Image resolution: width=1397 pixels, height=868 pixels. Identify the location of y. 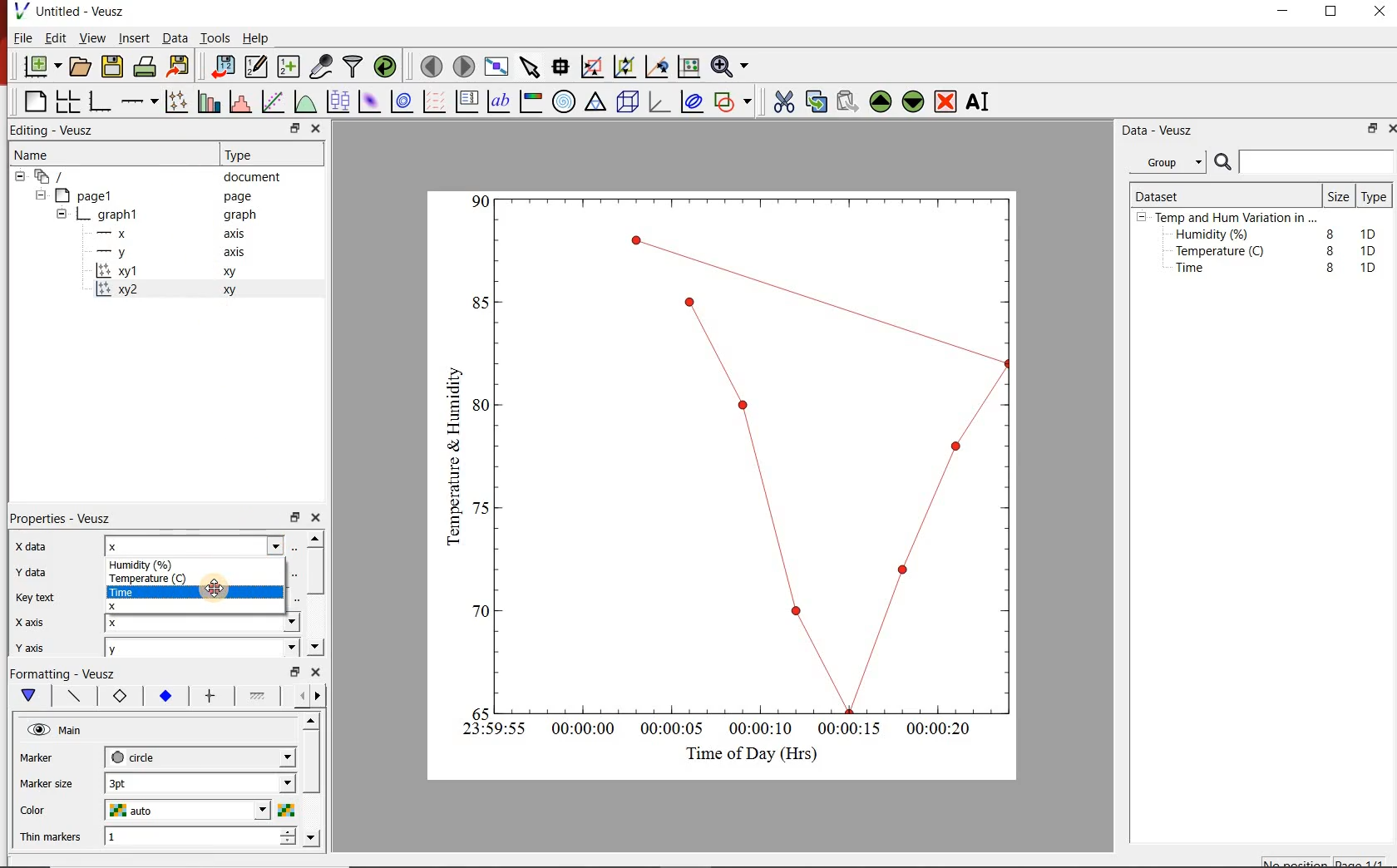
(126, 252).